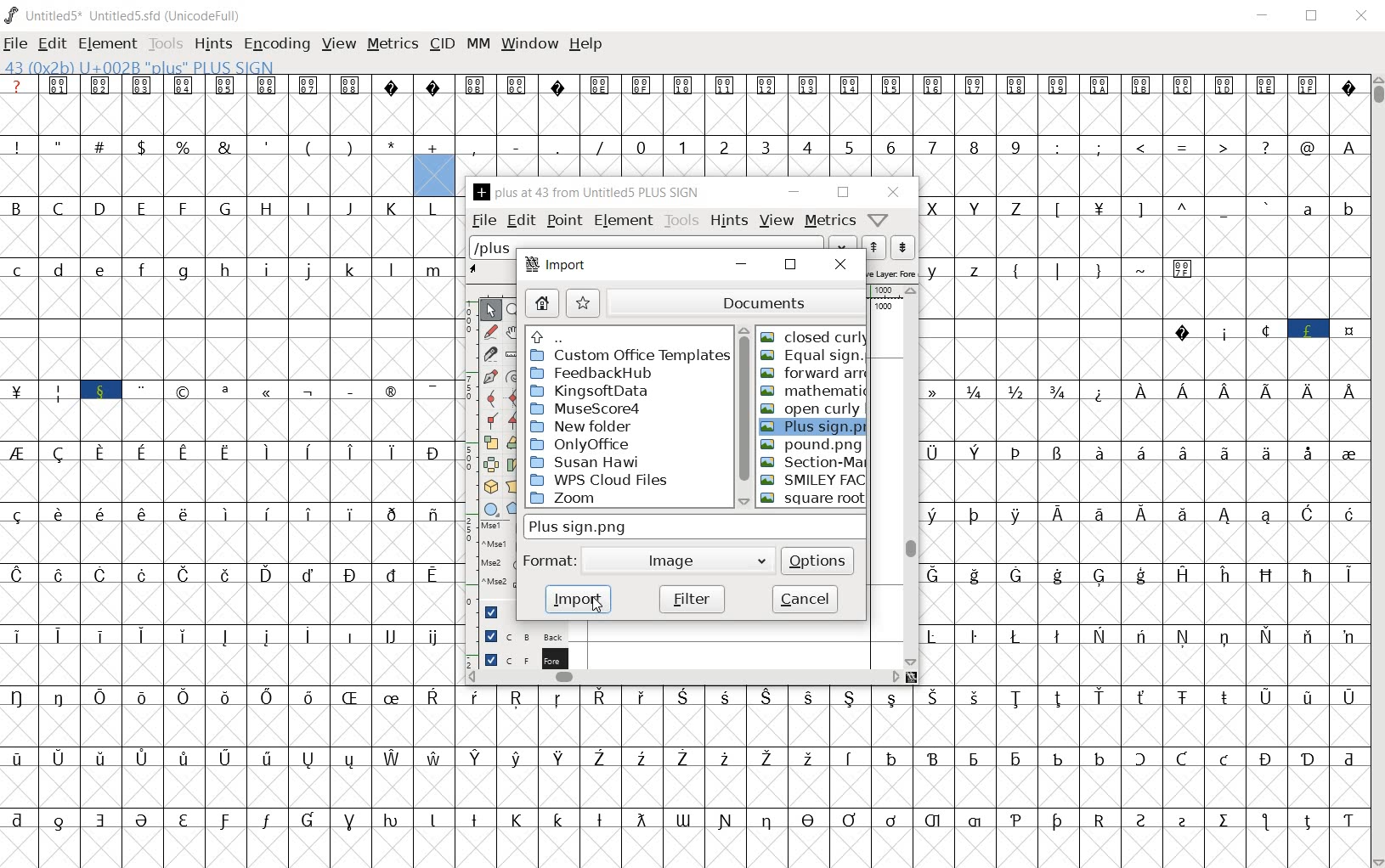 Image resolution: width=1385 pixels, height=868 pixels. I want to click on Format, so click(553, 561).